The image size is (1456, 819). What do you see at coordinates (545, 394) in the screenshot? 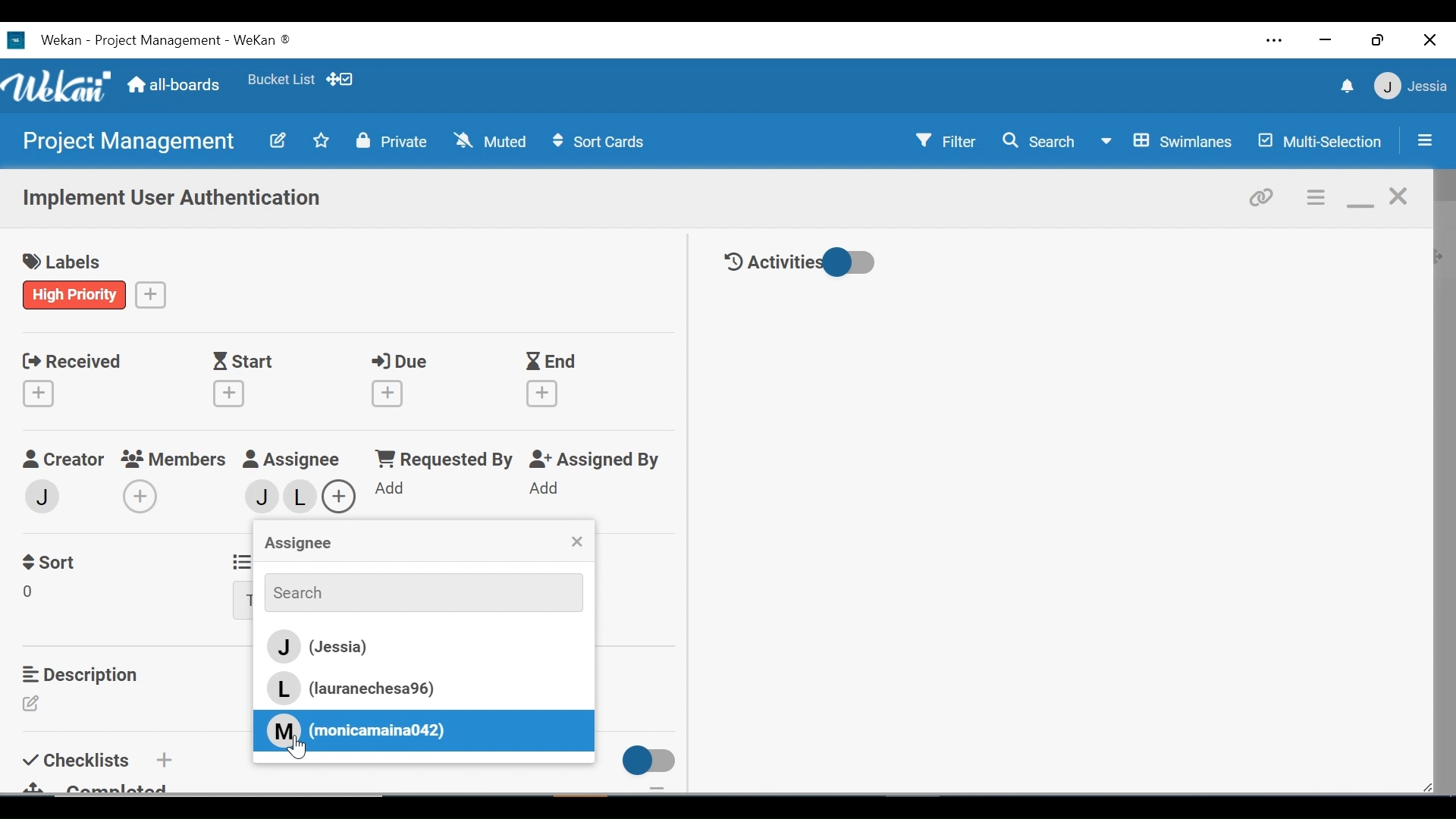
I see `createEnd Date` at bounding box center [545, 394].